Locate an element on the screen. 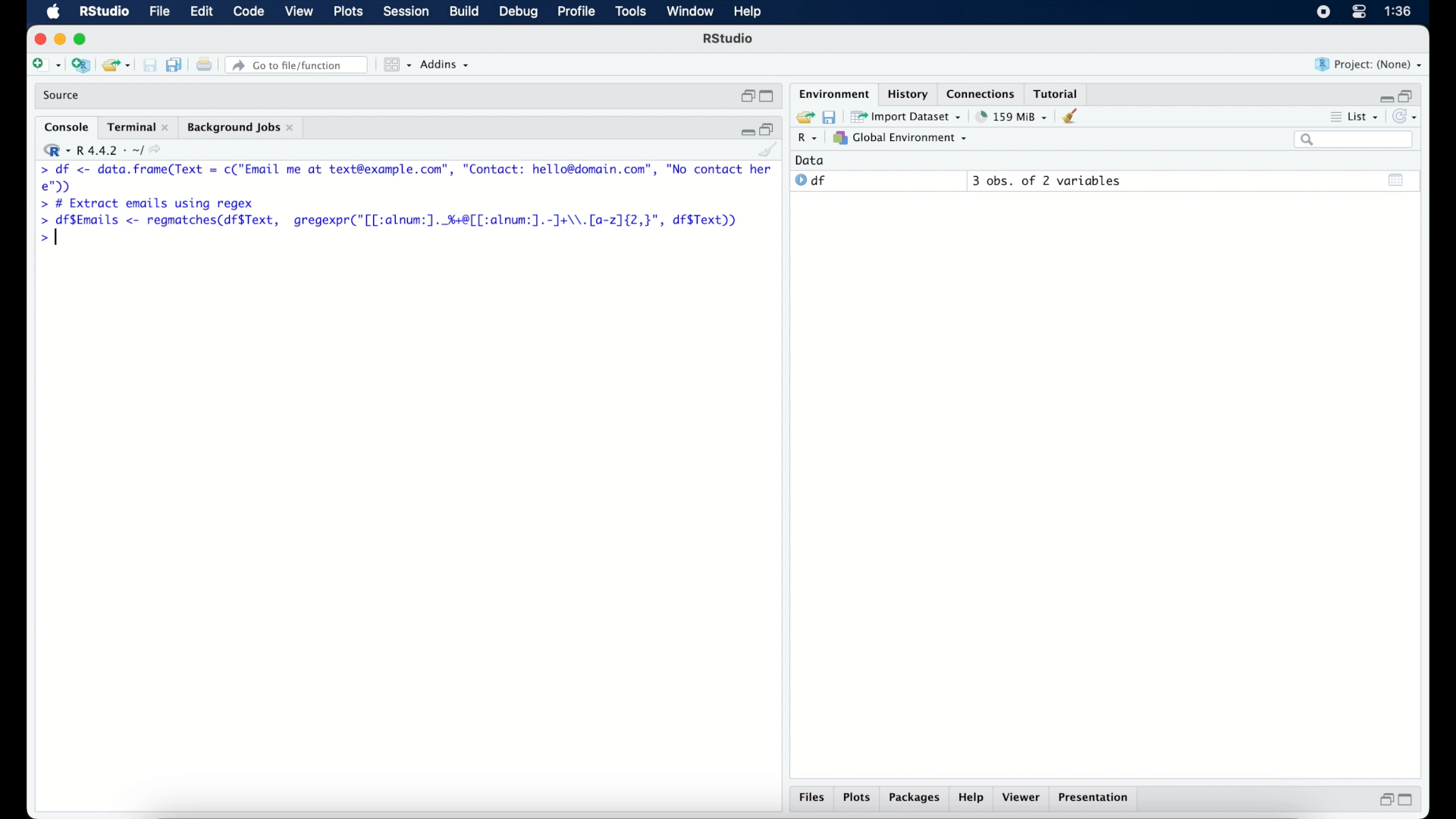 This screenshot has width=1456, height=819. date is located at coordinates (811, 160).